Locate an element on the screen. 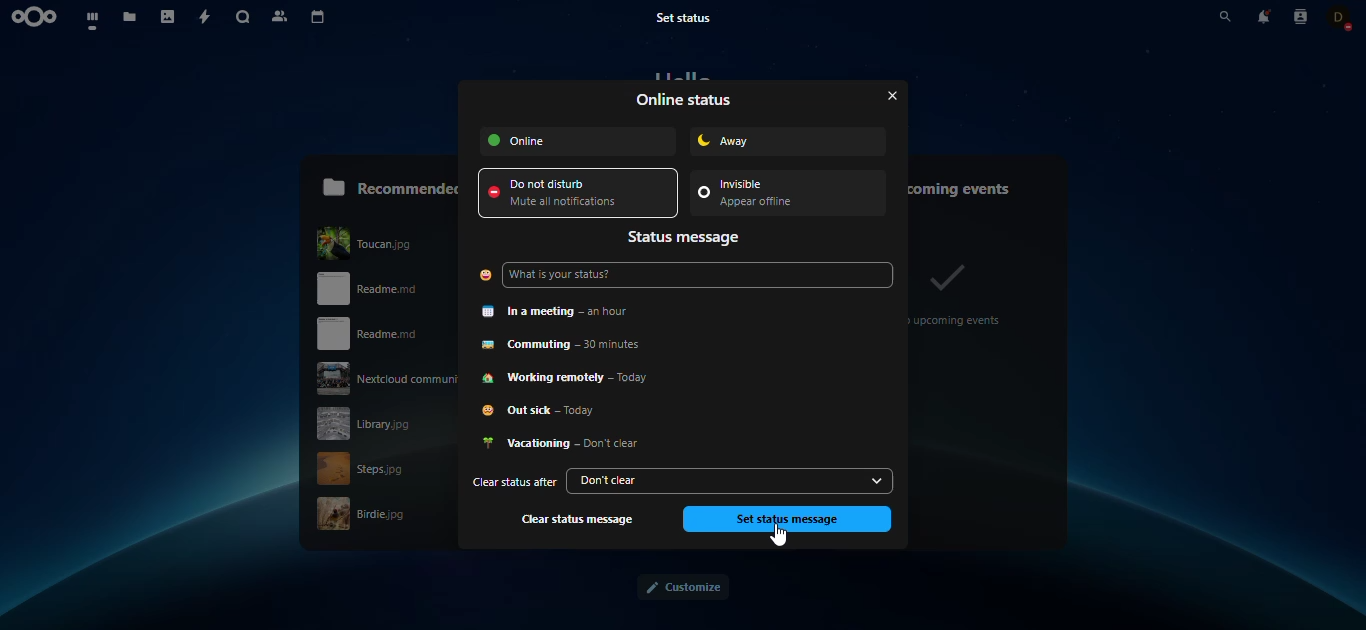 This screenshot has width=1366, height=630. hello is located at coordinates (683, 75).